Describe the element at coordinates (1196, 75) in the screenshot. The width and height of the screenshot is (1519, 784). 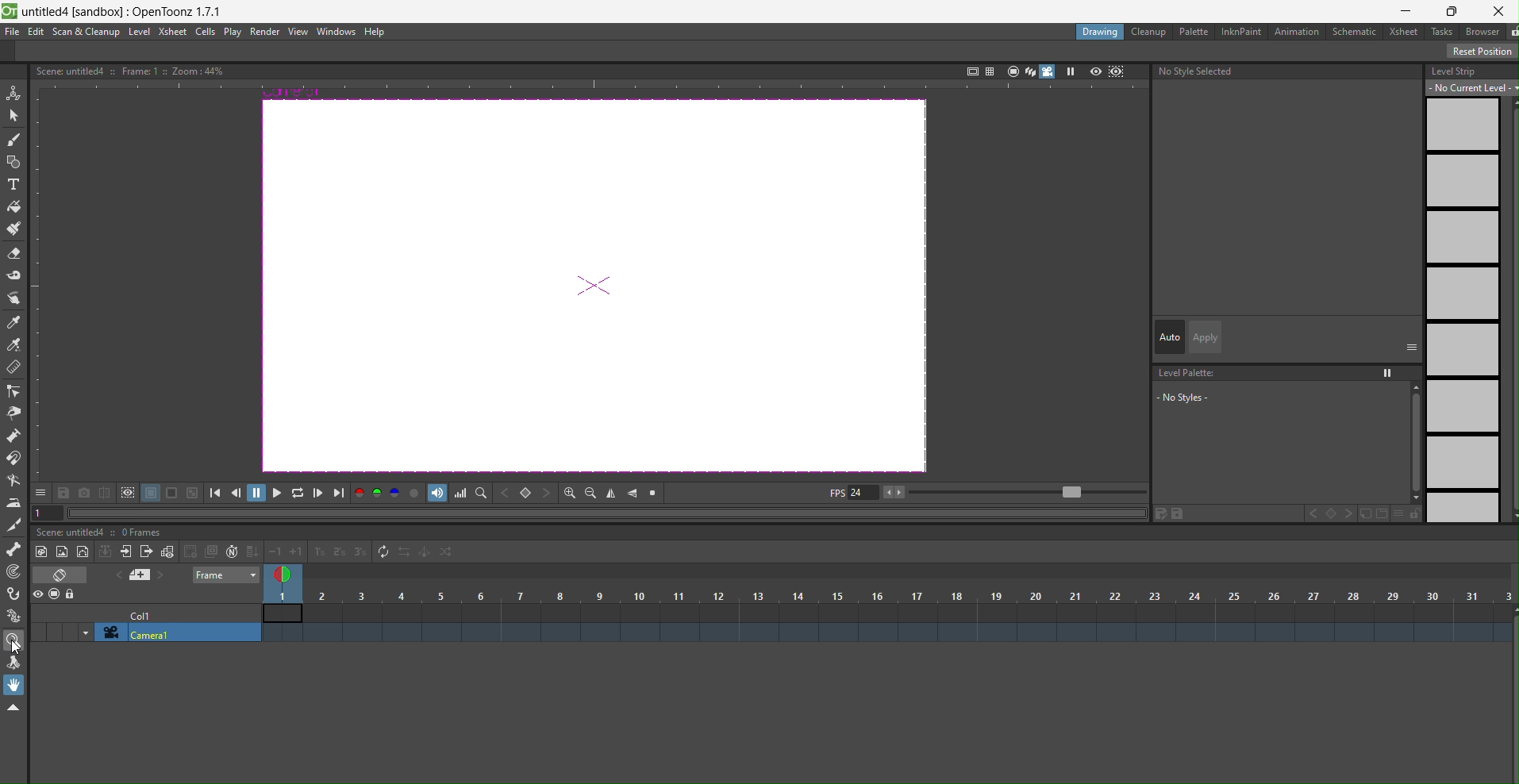
I see `no style selected` at that location.